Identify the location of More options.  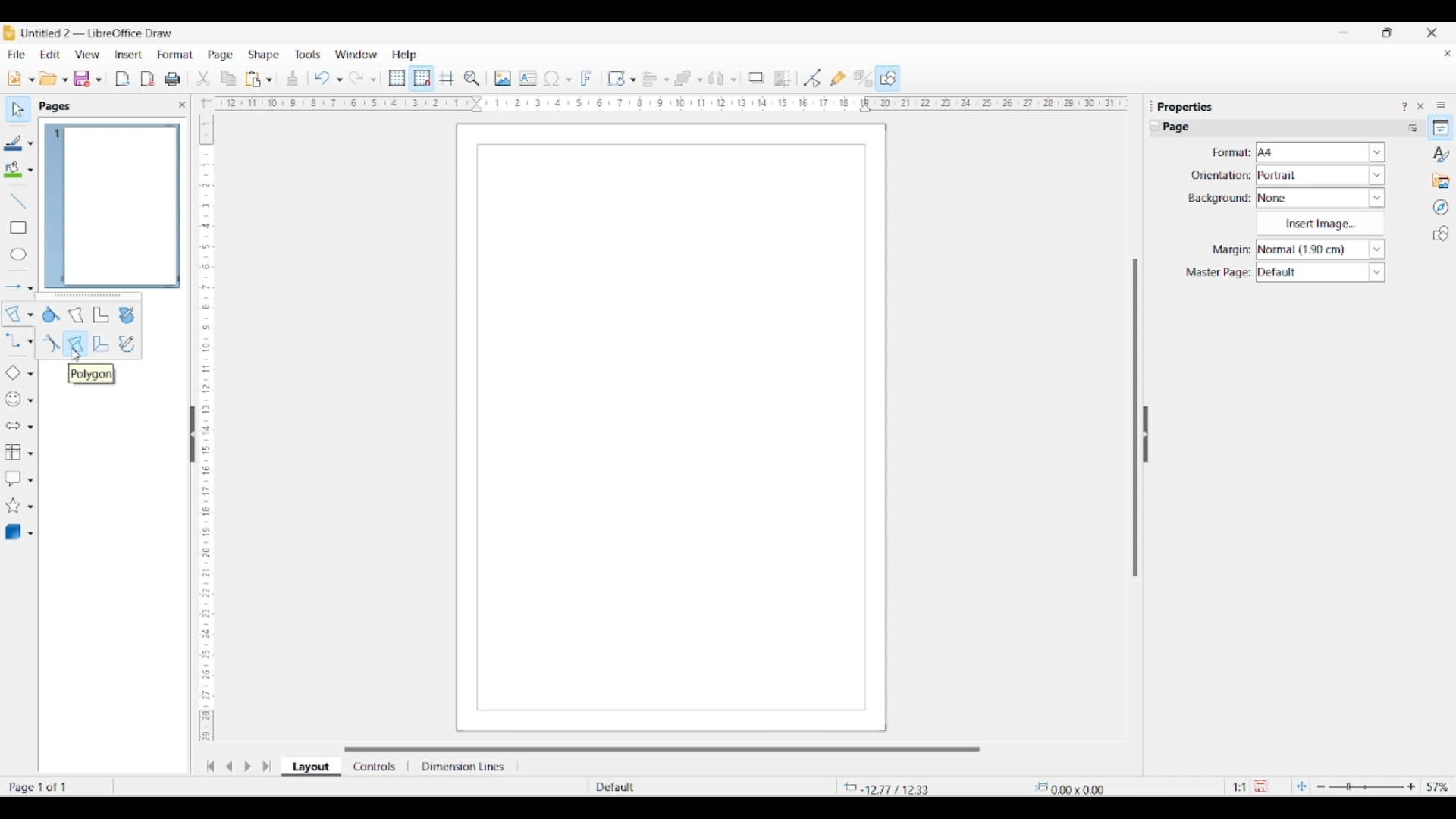
(1412, 127).